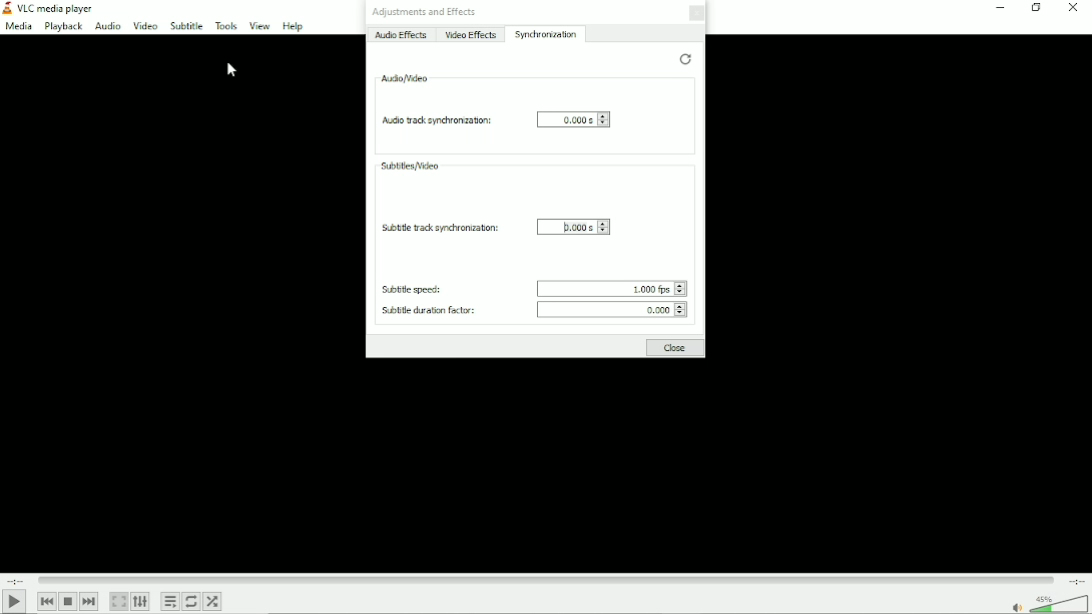 The height and width of the screenshot is (614, 1092). I want to click on 0.000, so click(614, 311).